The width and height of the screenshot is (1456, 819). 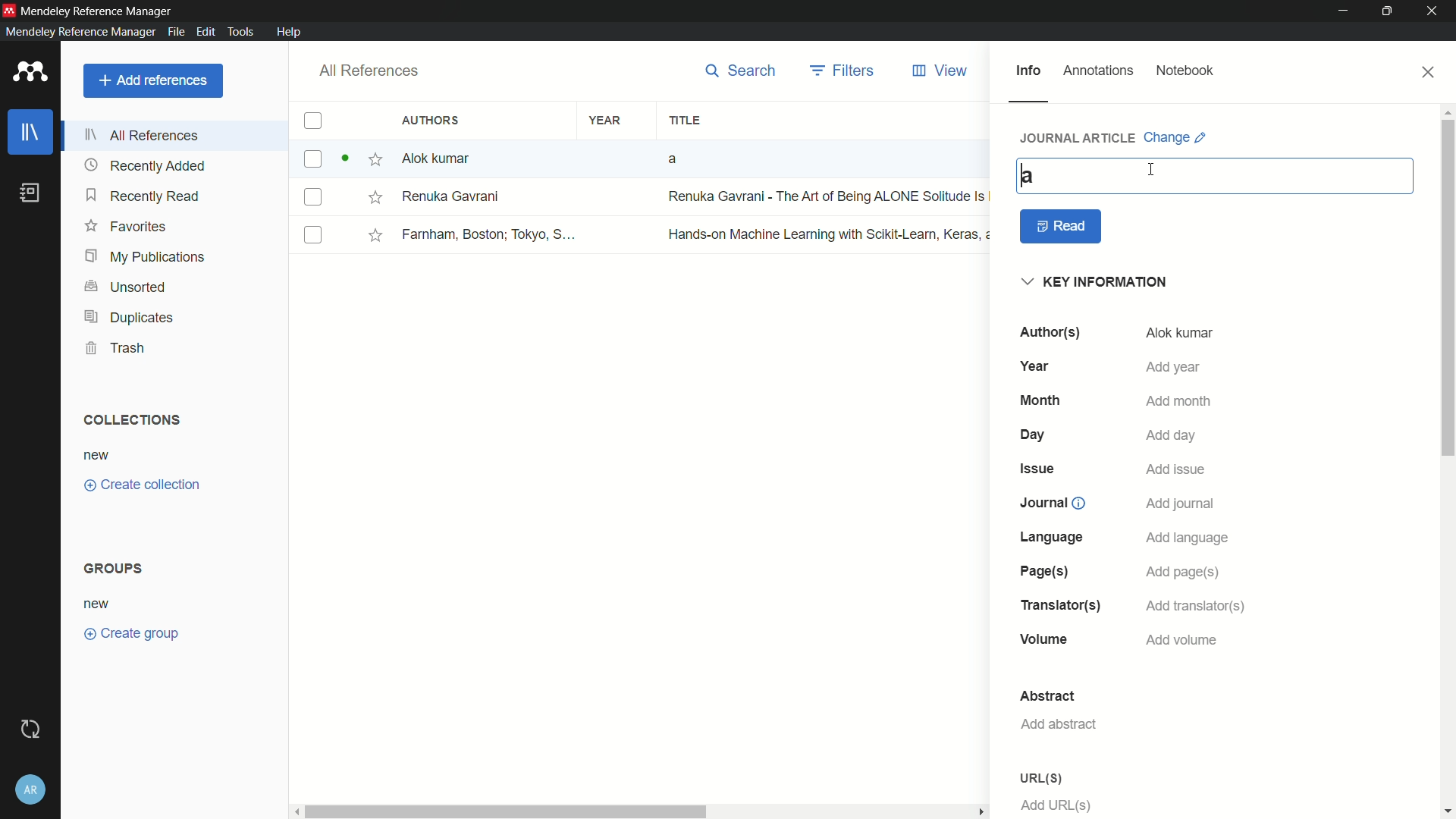 What do you see at coordinates (1429, 72) in the screenshot?
I see `close` at bounding box center [1429, 72].